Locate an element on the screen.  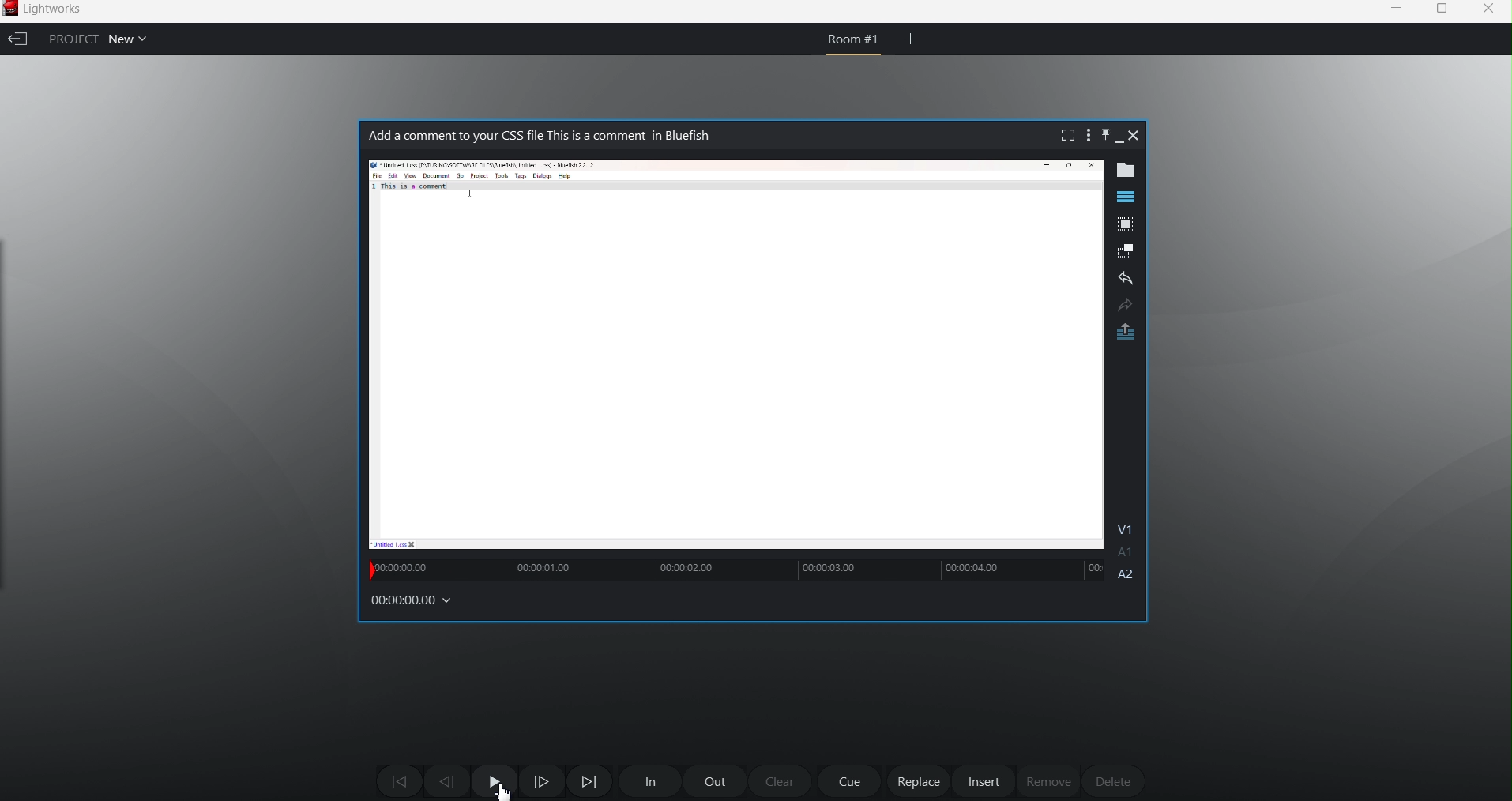
insert is located at coordinates (984, 781).